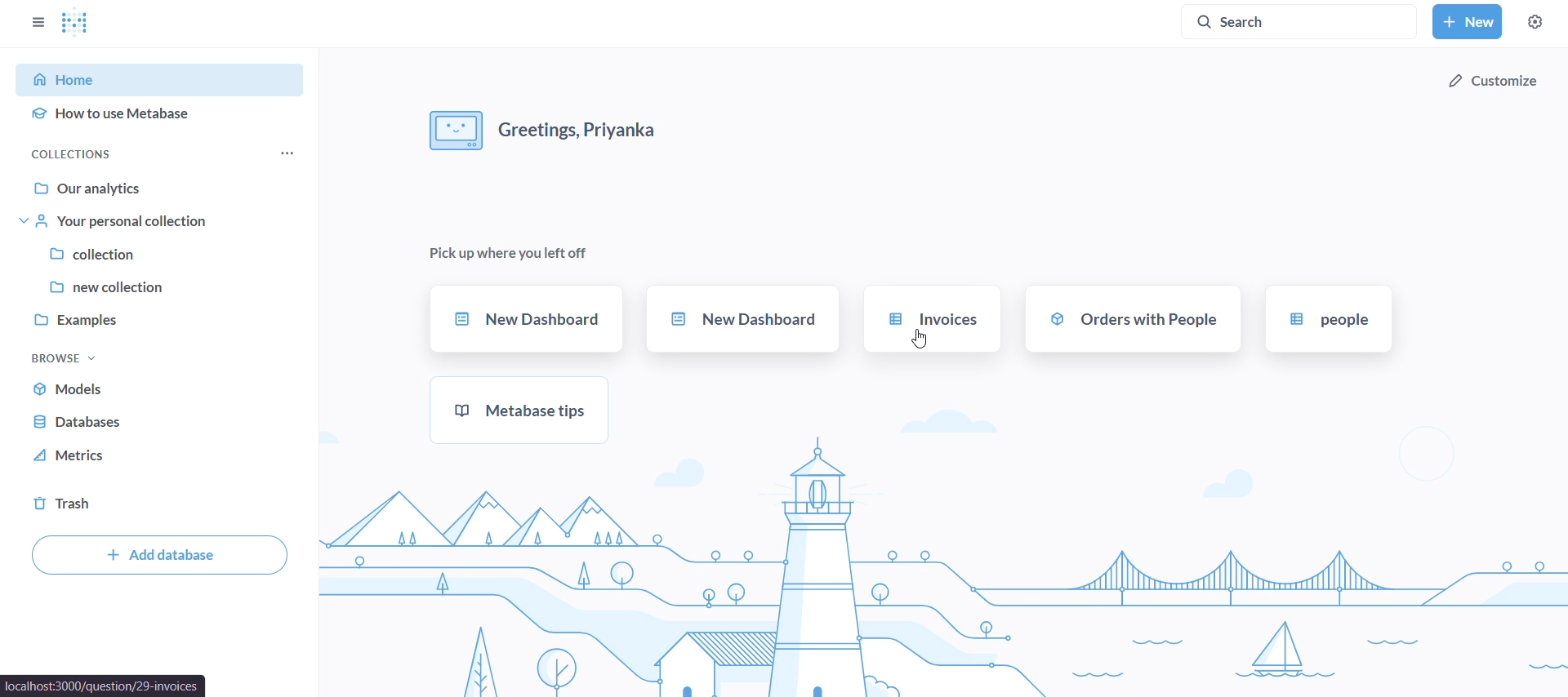 This screenshot has height=697, width=1568. Describe the element at coordinates (283, 150) in the screenshot. I see `collections menu` at that location.